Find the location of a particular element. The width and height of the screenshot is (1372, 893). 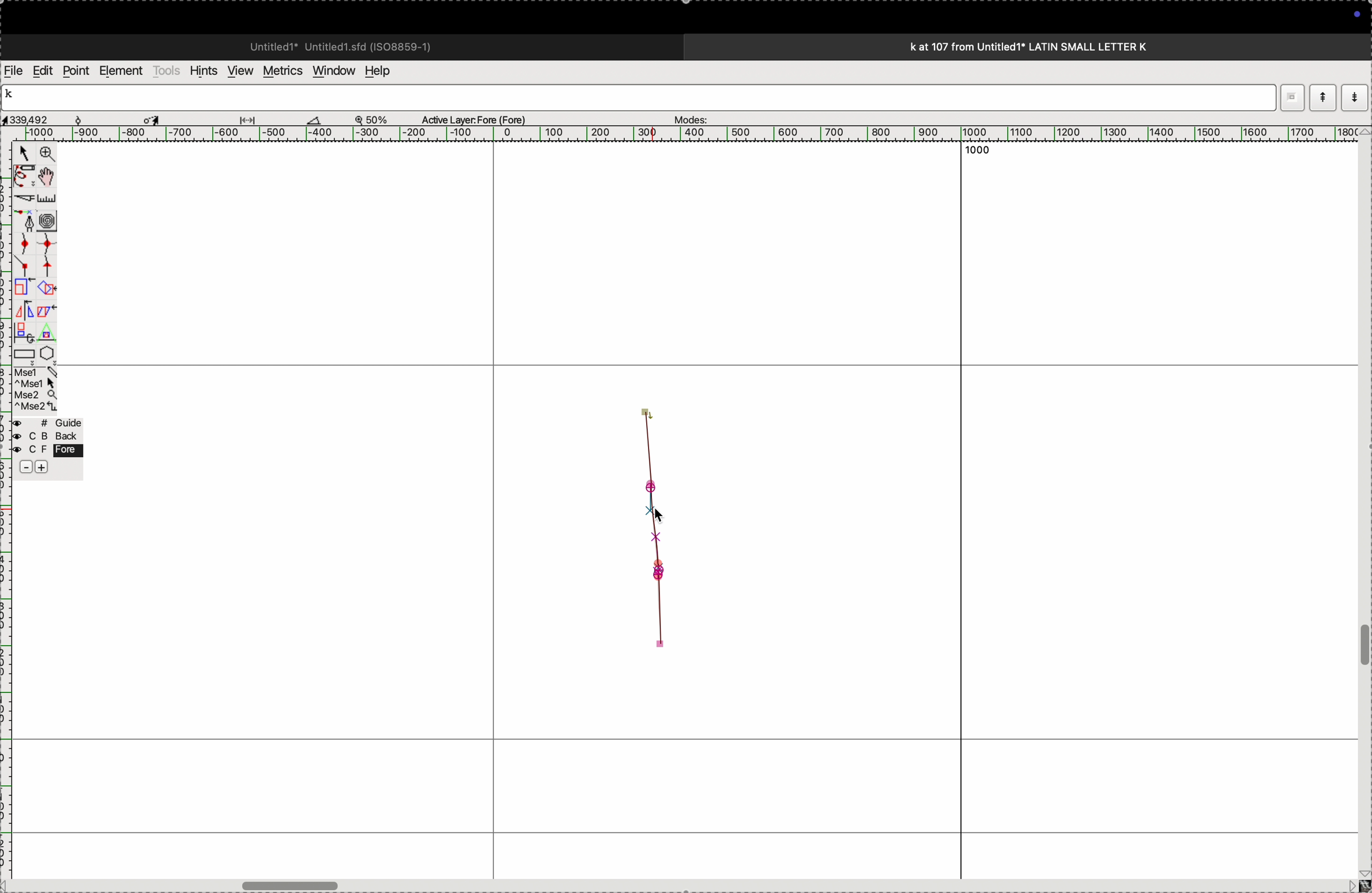

scrollbar is located at coordinates (291, 884).